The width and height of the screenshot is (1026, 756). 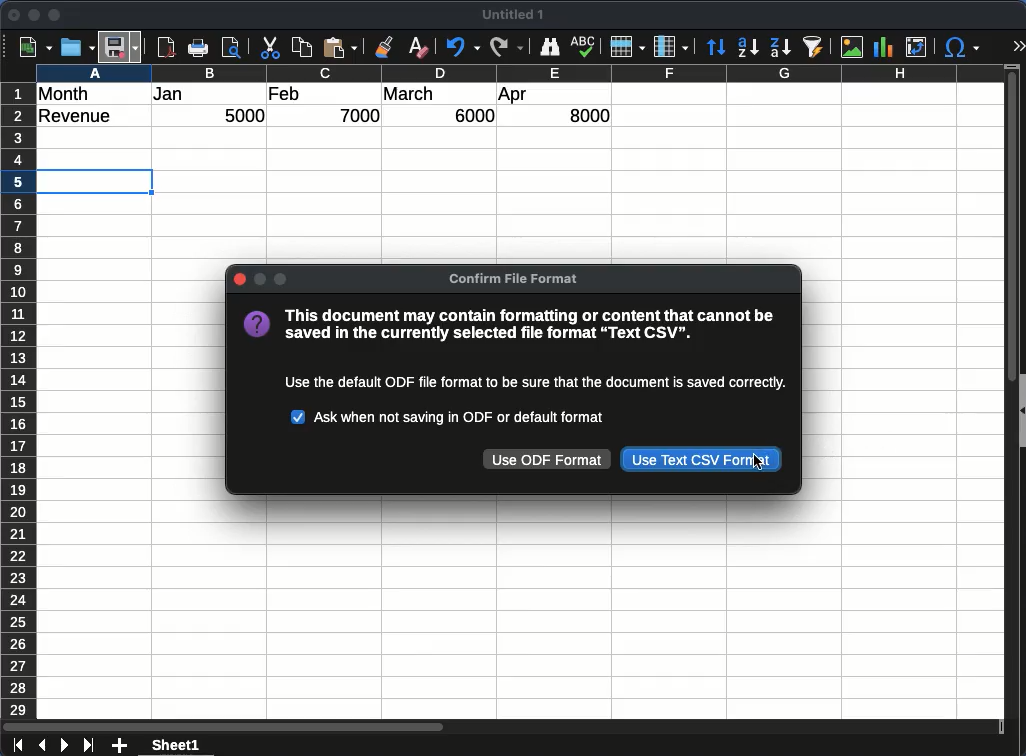 I want to click on feb, so click(x=284, y=93).